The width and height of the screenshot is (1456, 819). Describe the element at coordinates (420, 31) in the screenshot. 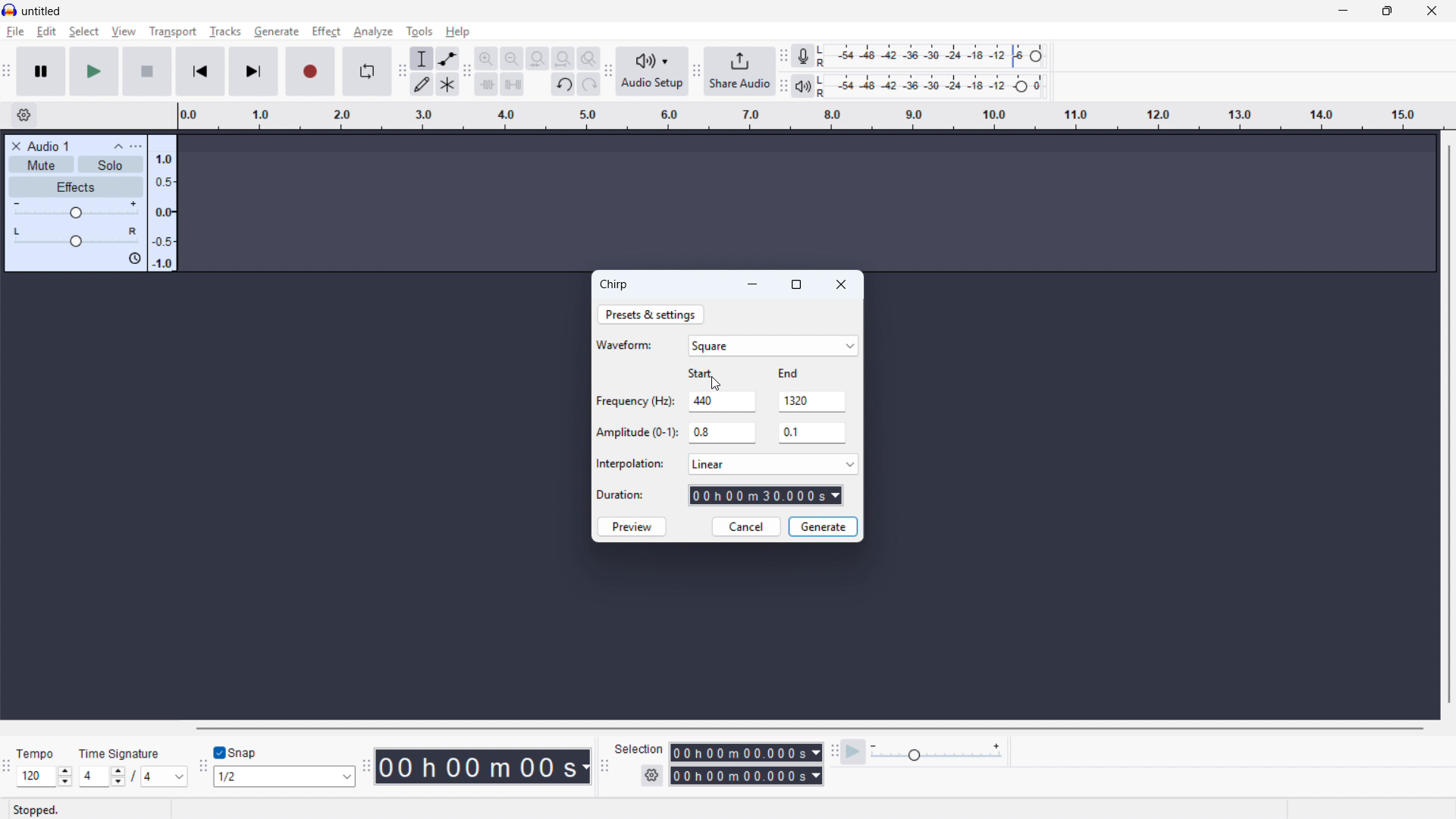

I see ` Tools ` at that location.